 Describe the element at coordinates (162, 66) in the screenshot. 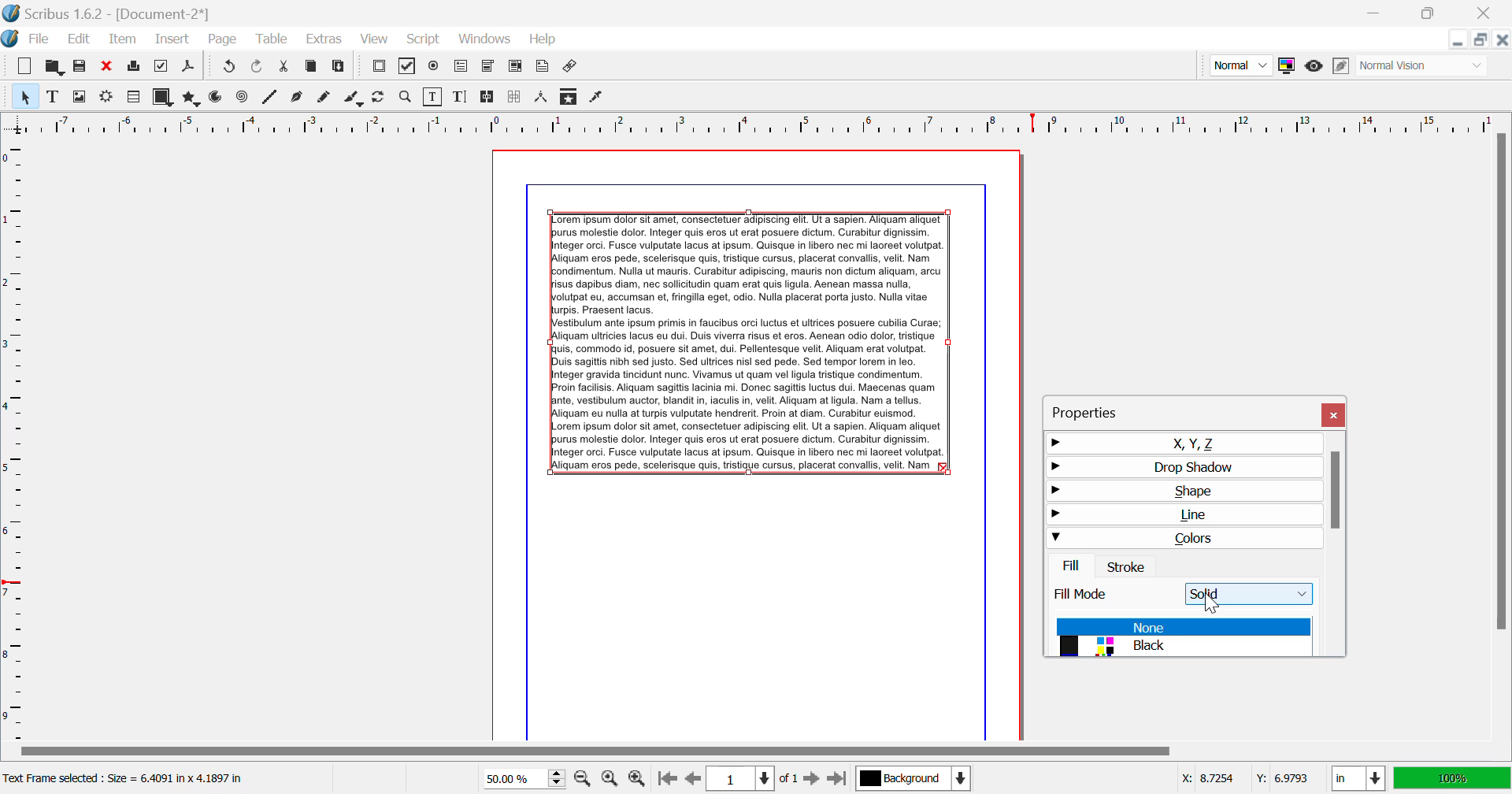

I see `Preflight Verifier` at that location.